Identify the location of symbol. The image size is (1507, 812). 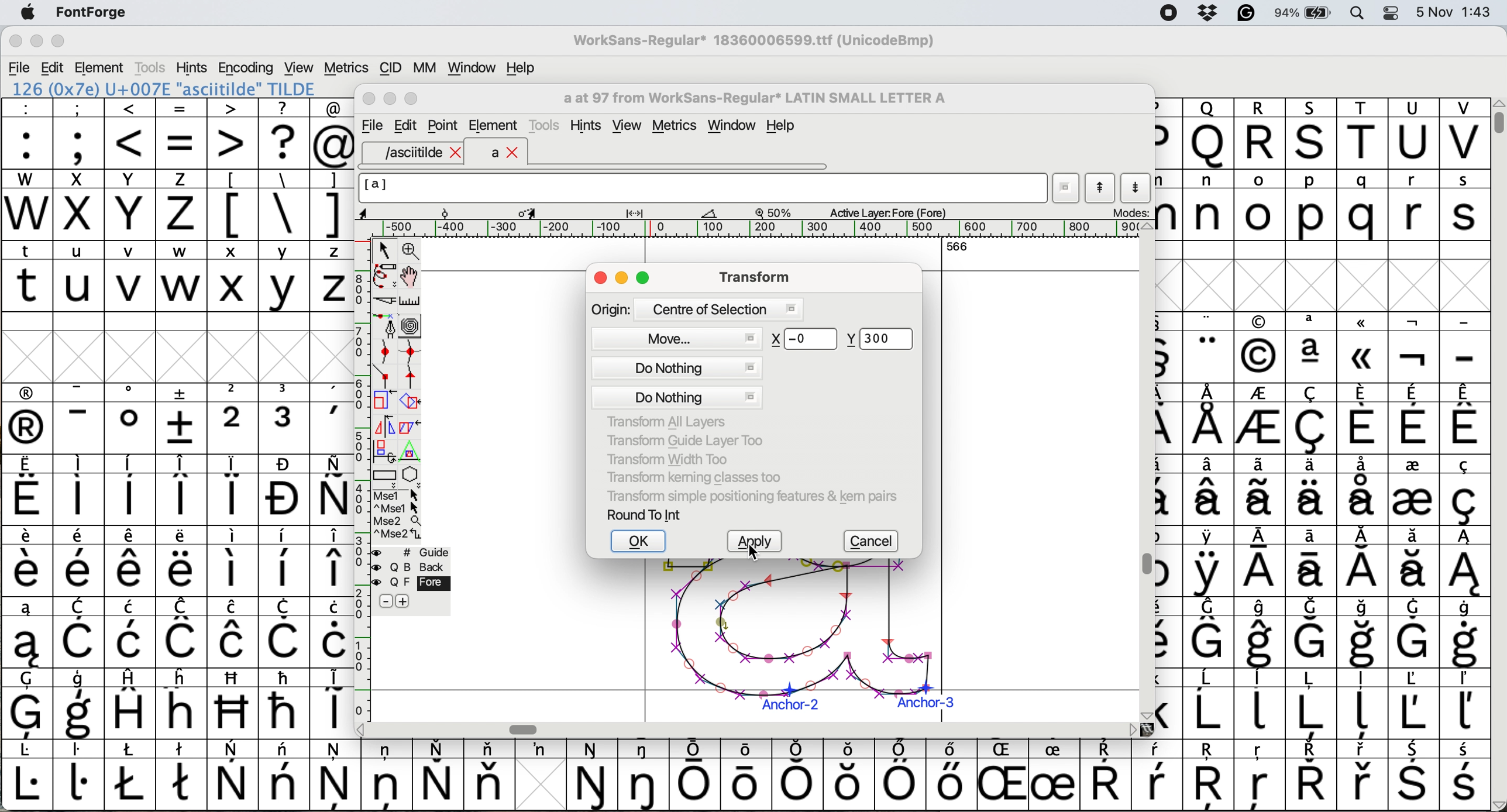
(1364, 488).